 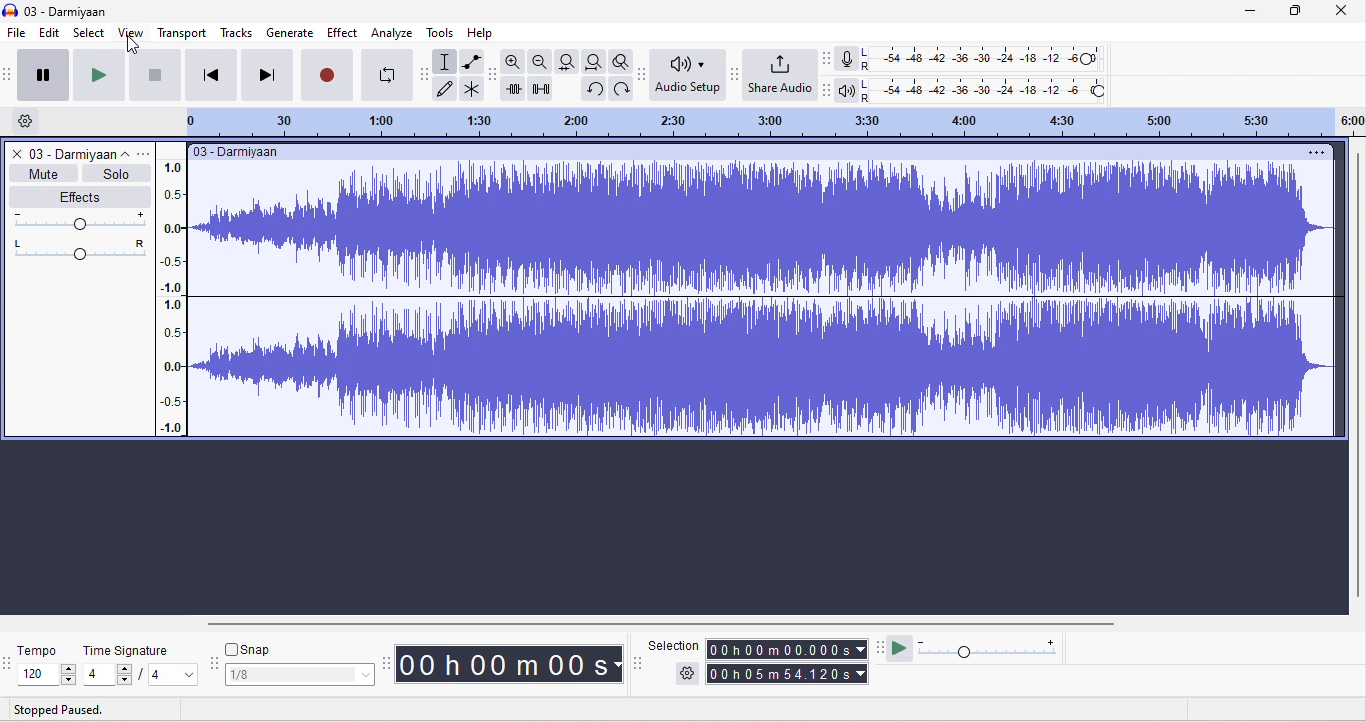 What do you see at coordinates (129, 651) in the screenshot?
I see `time signature` at bounding box center [129, 651].